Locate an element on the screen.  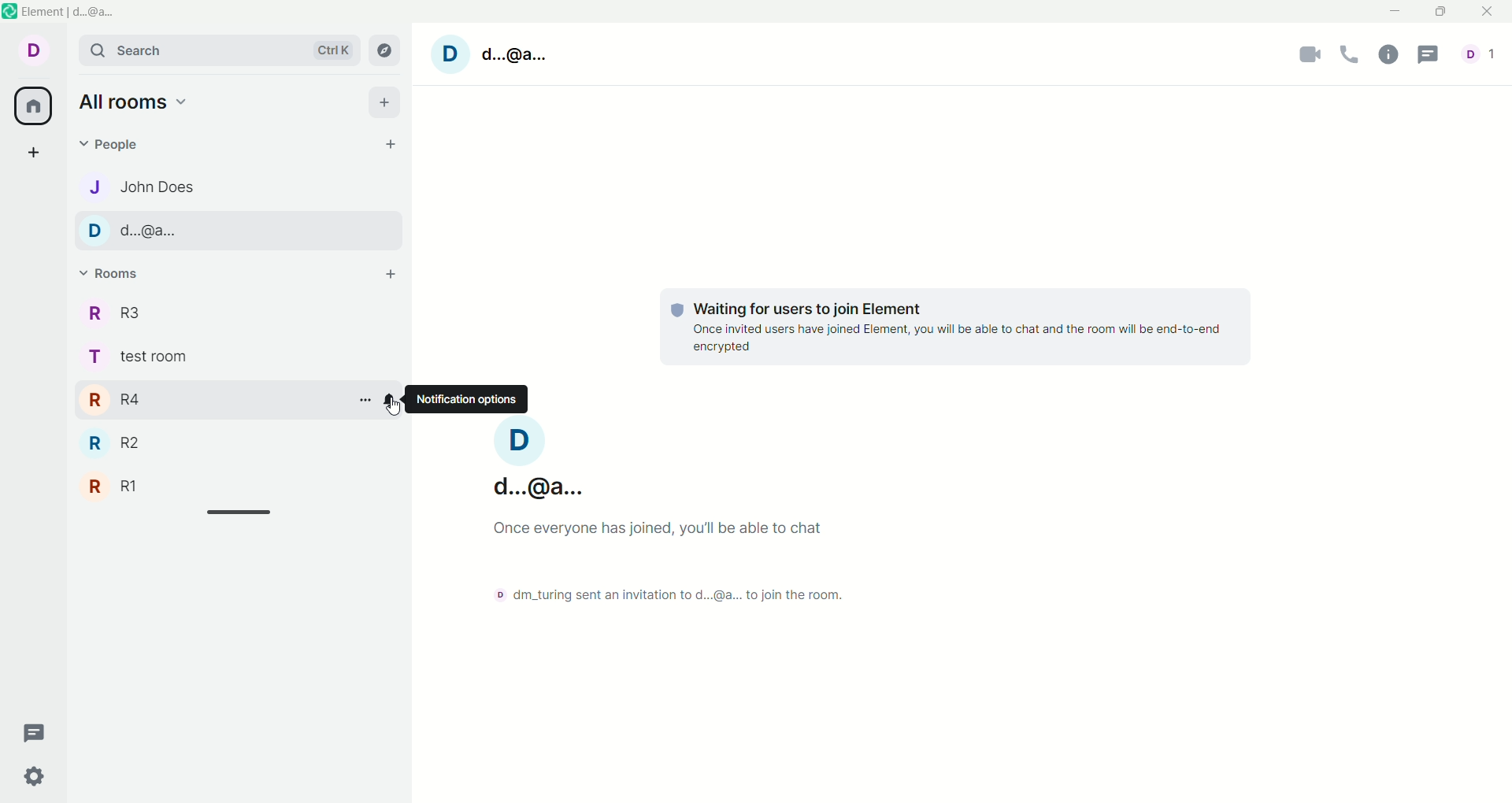
Current account image is located at coordinates (450, 54).